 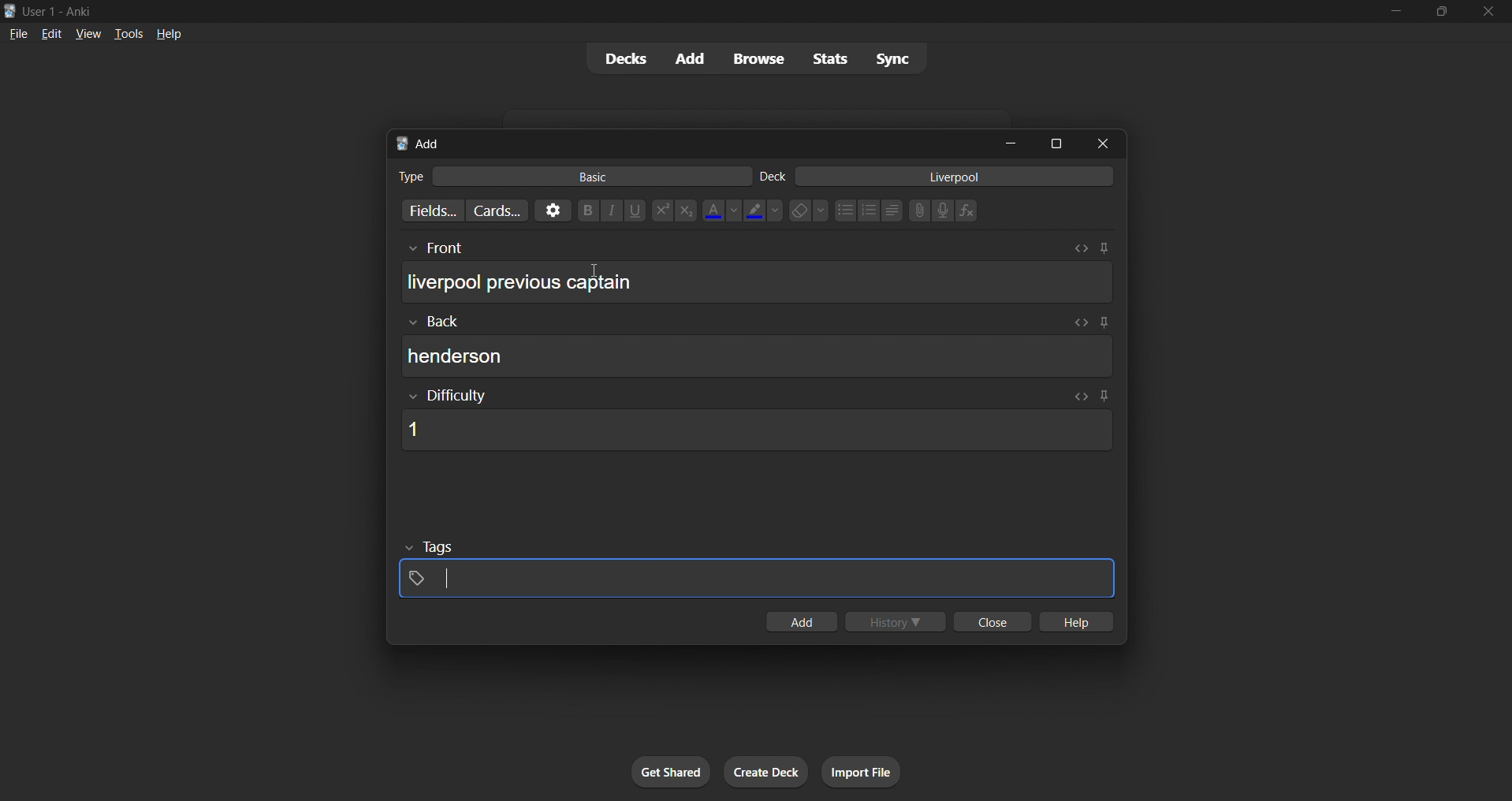 What do you see at coordinates (808, 210) in the screenshot?
I see `clear` at bounding box center [808, 210].